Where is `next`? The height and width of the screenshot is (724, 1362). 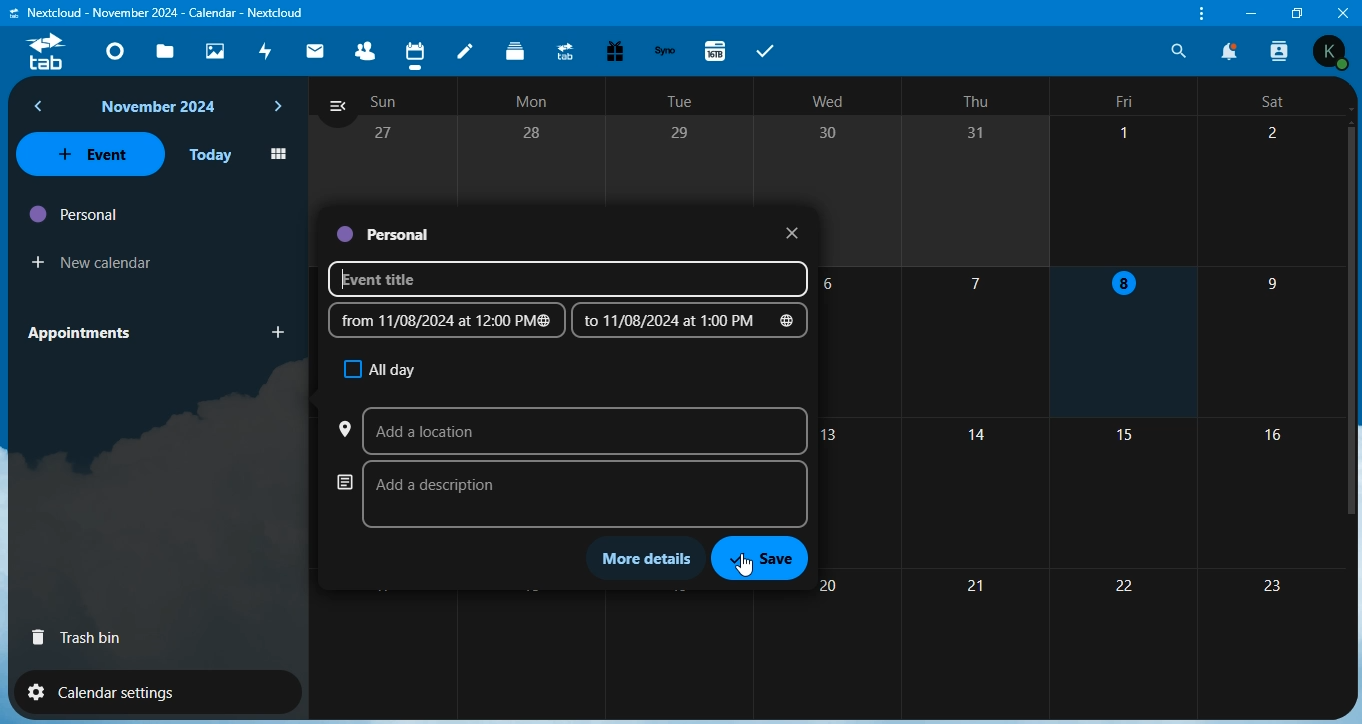 next is located at coordinates (278, 108).